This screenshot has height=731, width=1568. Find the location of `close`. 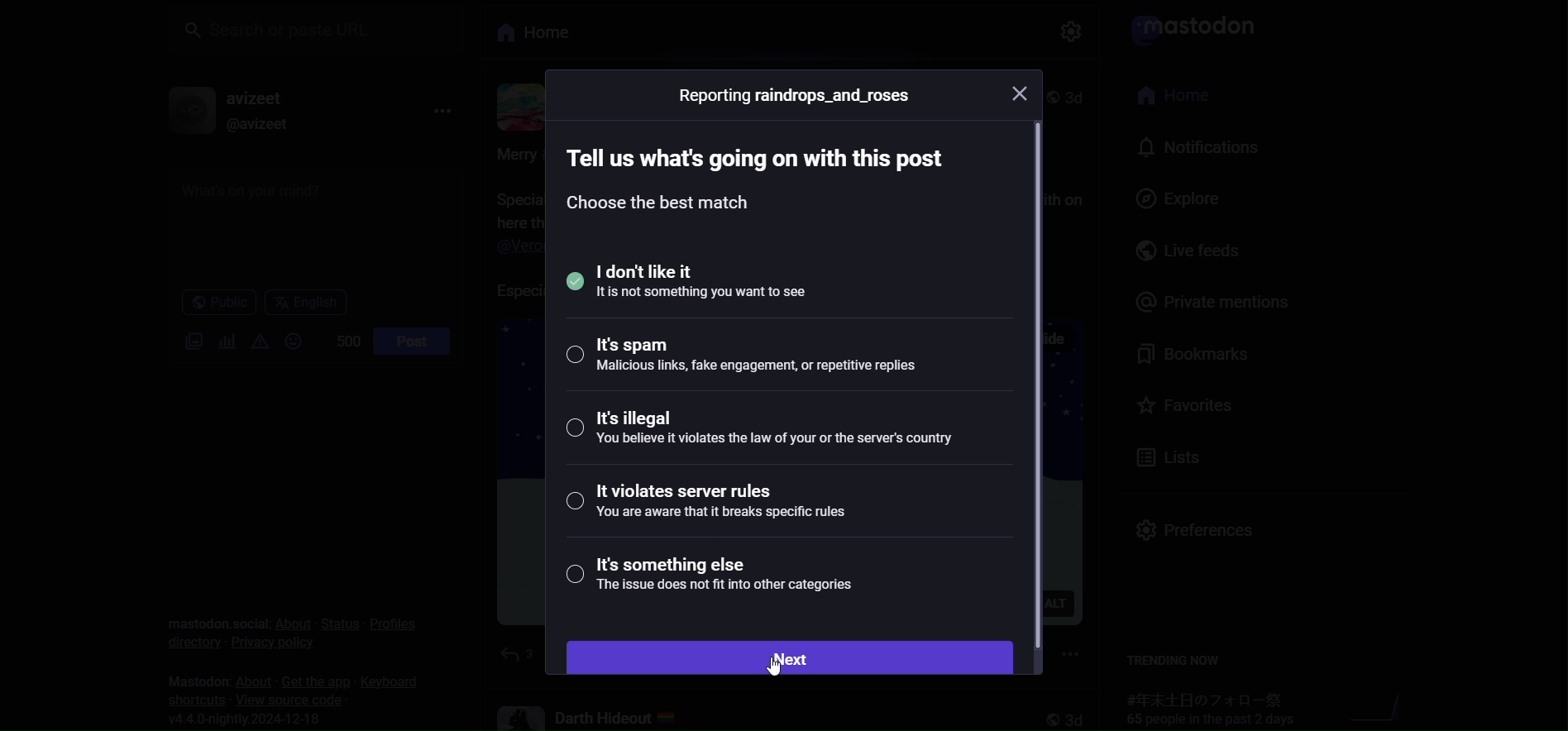

close is located at coordinates (1024, 93).